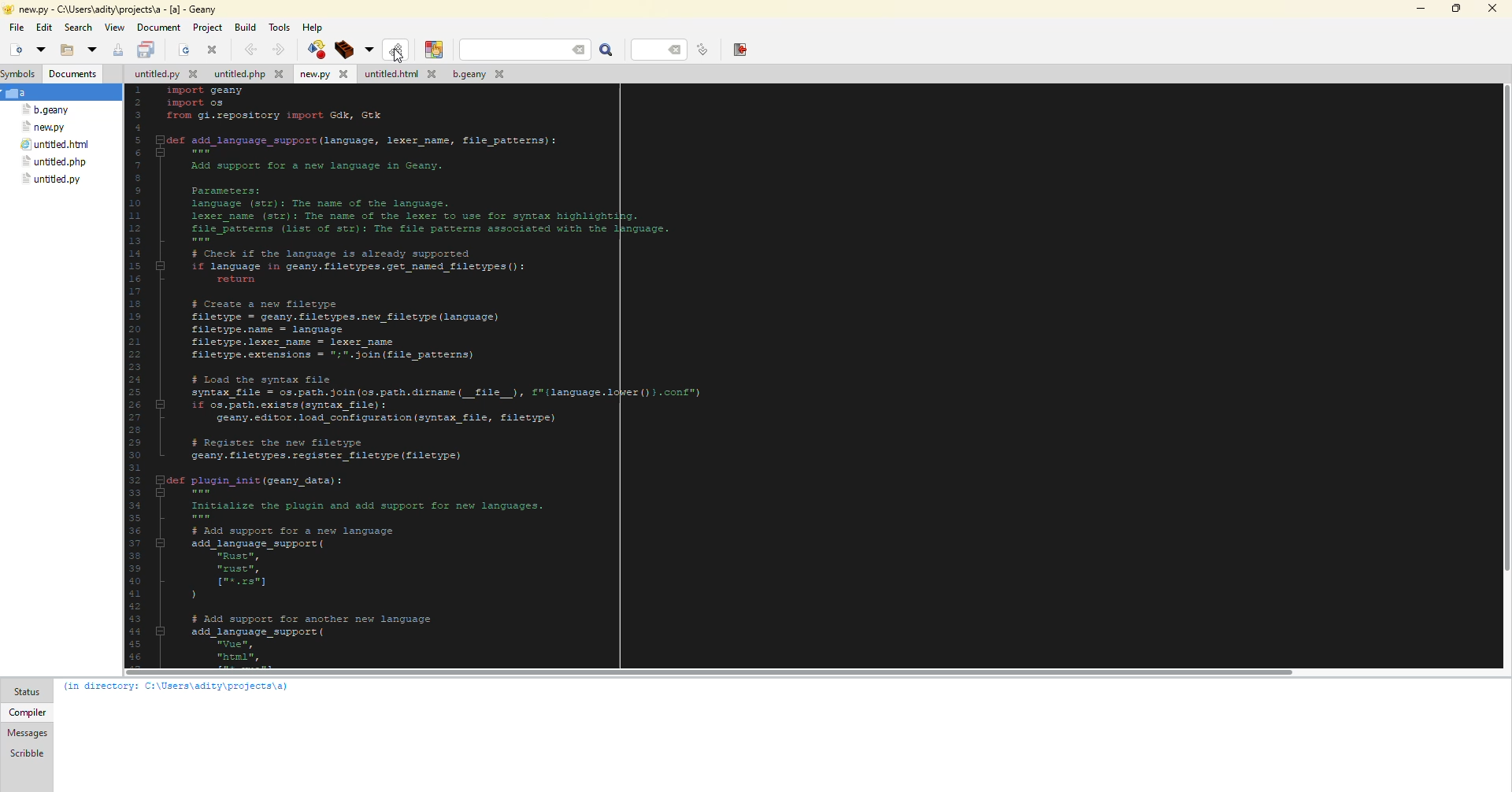  I want to click on open, so click(184, 50).